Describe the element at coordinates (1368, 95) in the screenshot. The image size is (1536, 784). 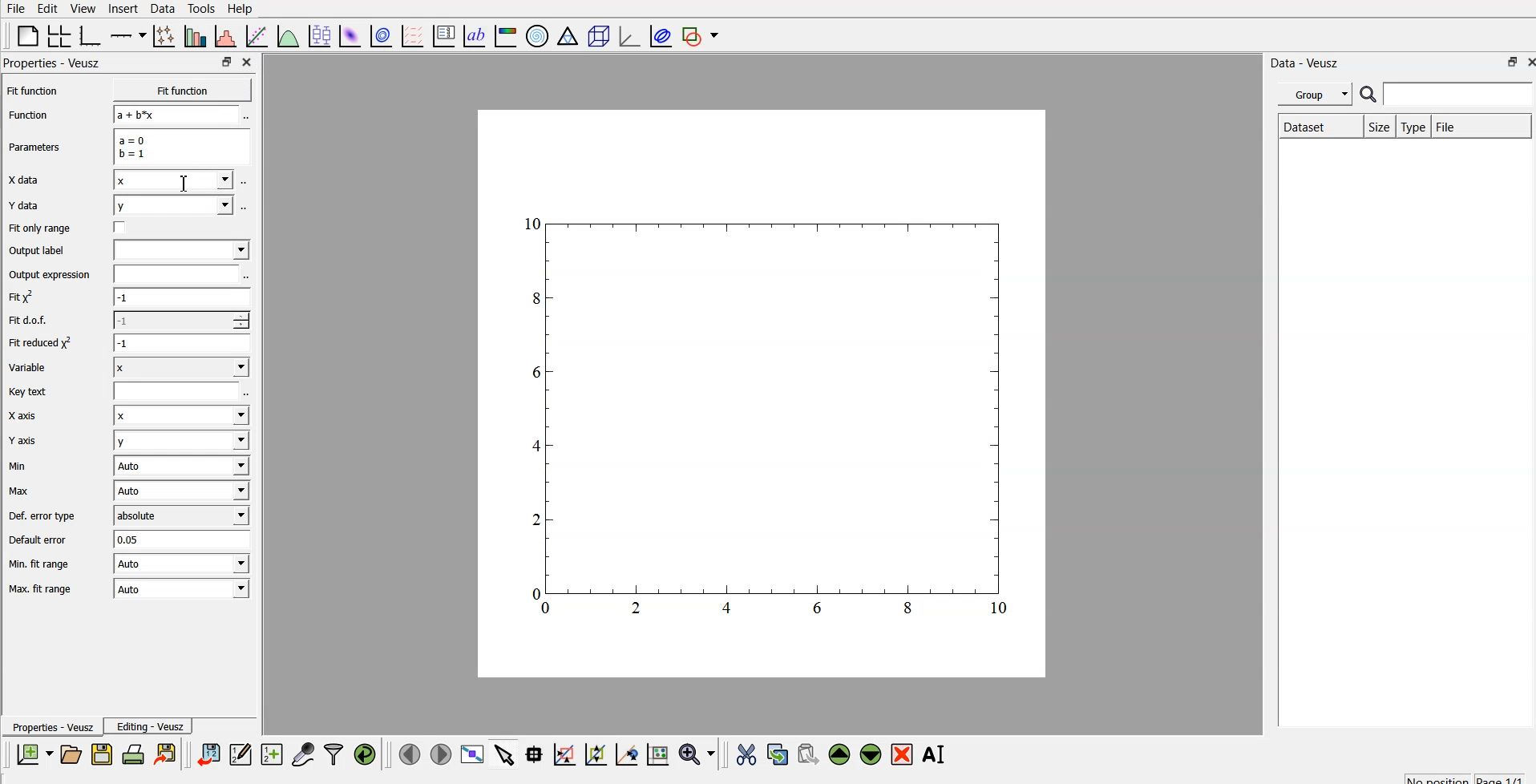
I see `search` at that location.